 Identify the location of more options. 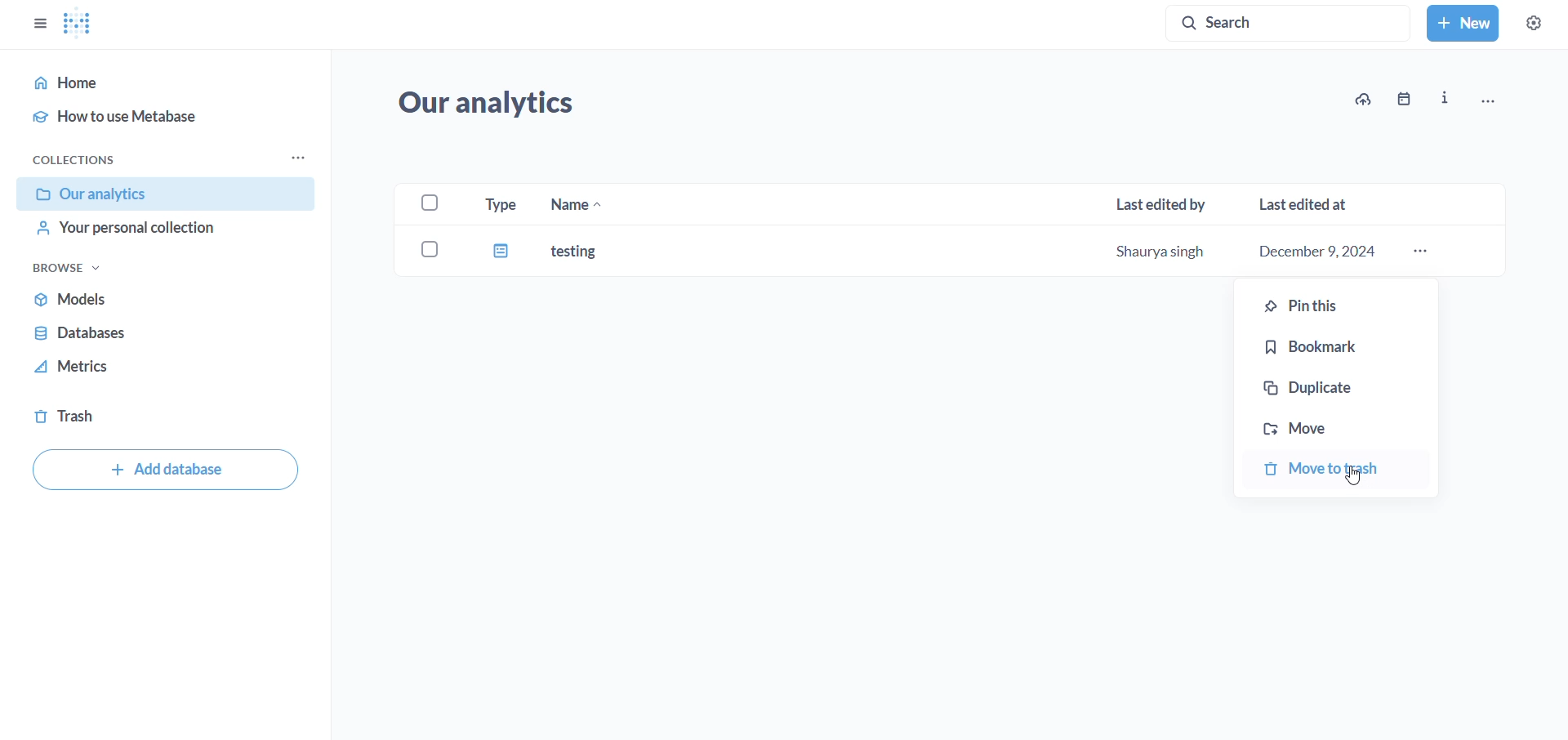
(1499, 96).